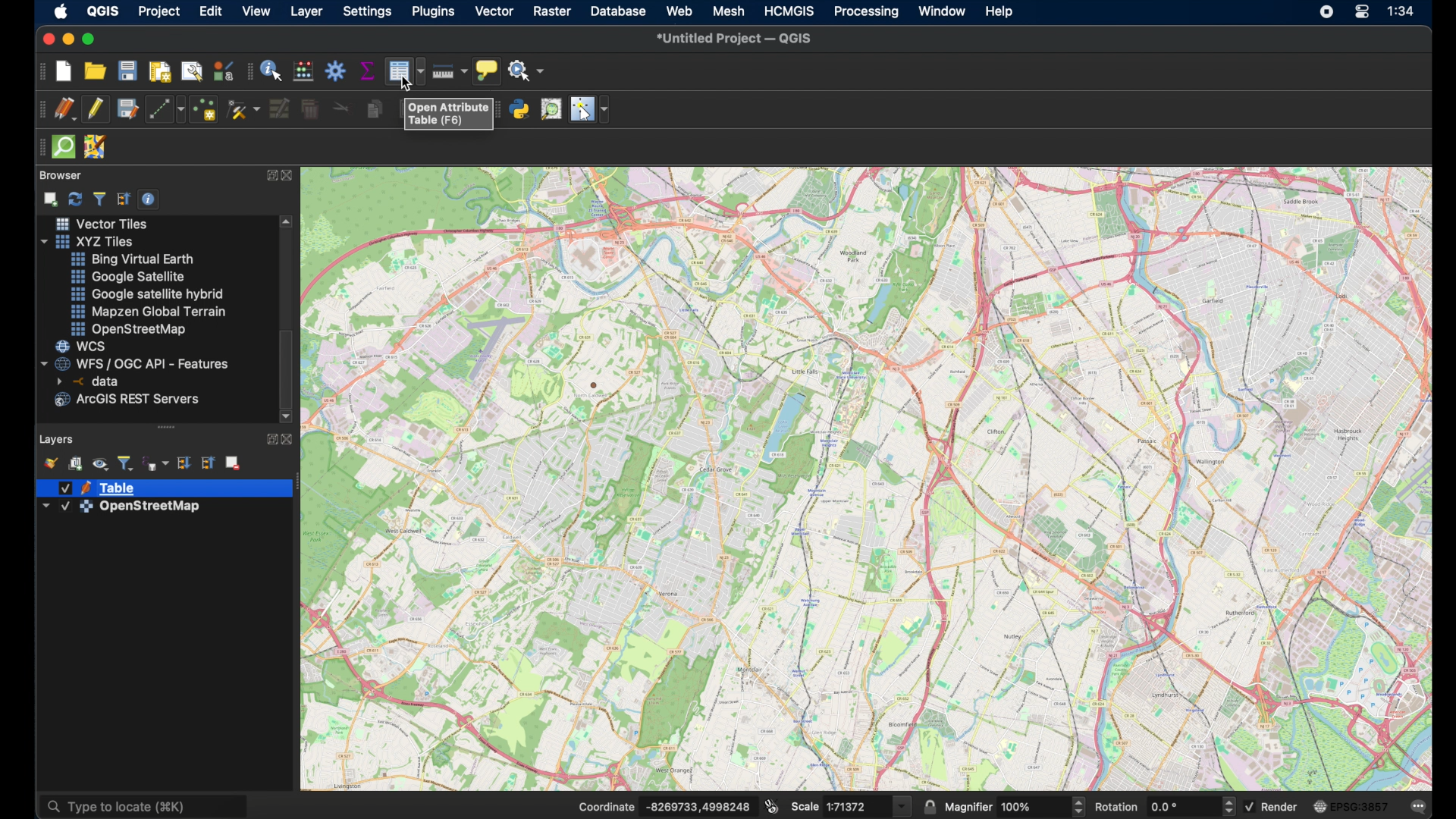 The height and width of the screenshot is (819, 1456). What do you see at coordinates (804, 805) in the screenshot?
I see `scale` at bounding box center [804, 805].